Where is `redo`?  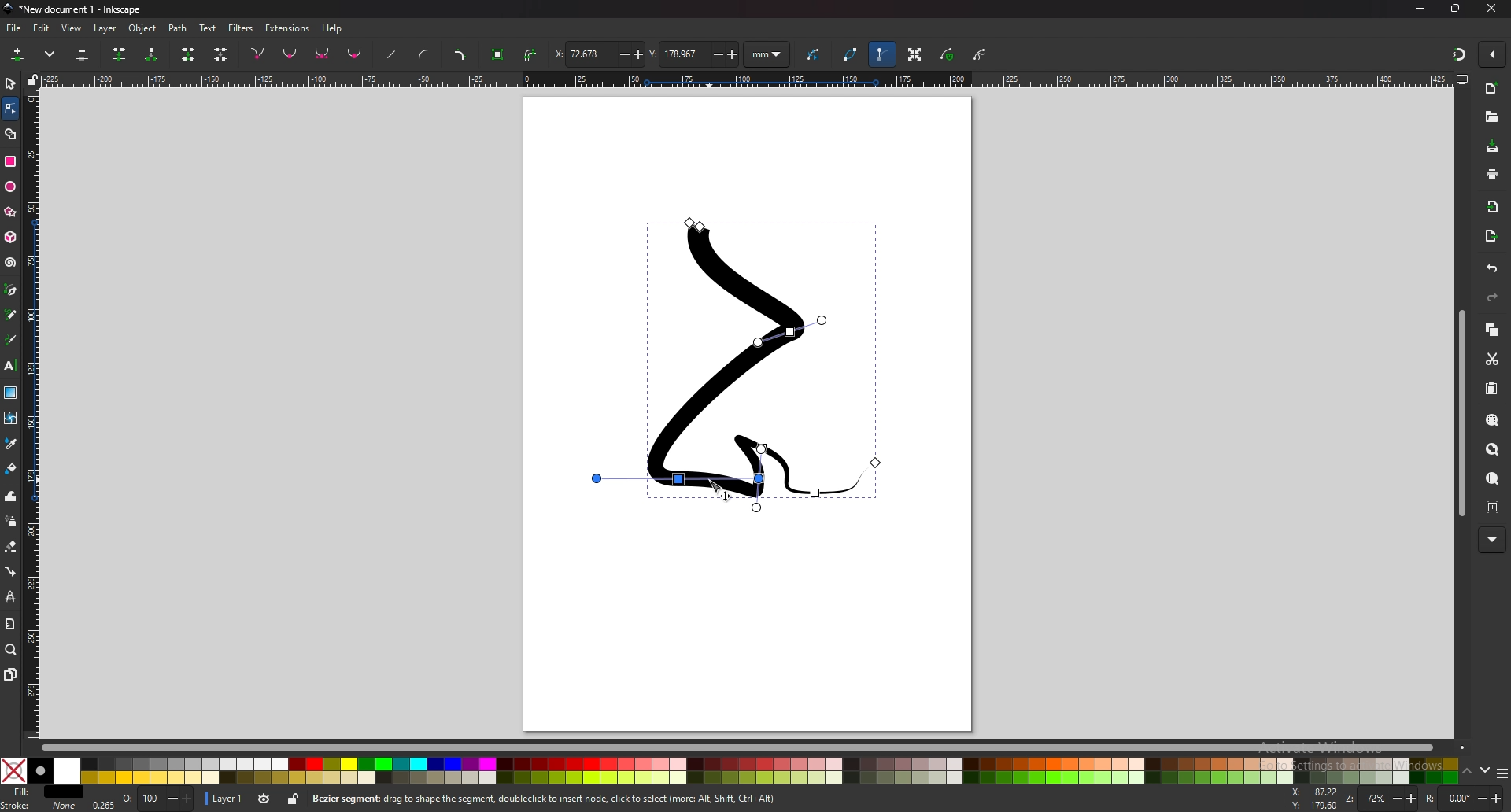 redo is located at coordinates (1492, 297).